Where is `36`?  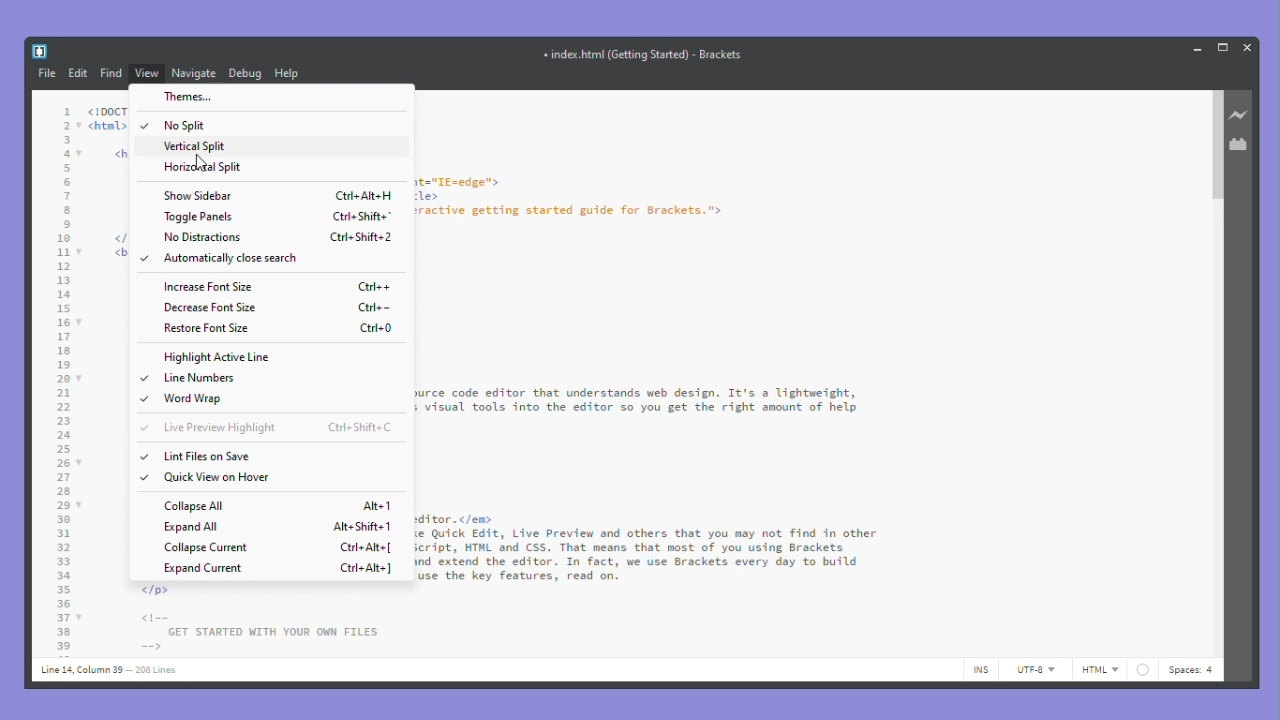
36 is located at coordinates (63, 603).